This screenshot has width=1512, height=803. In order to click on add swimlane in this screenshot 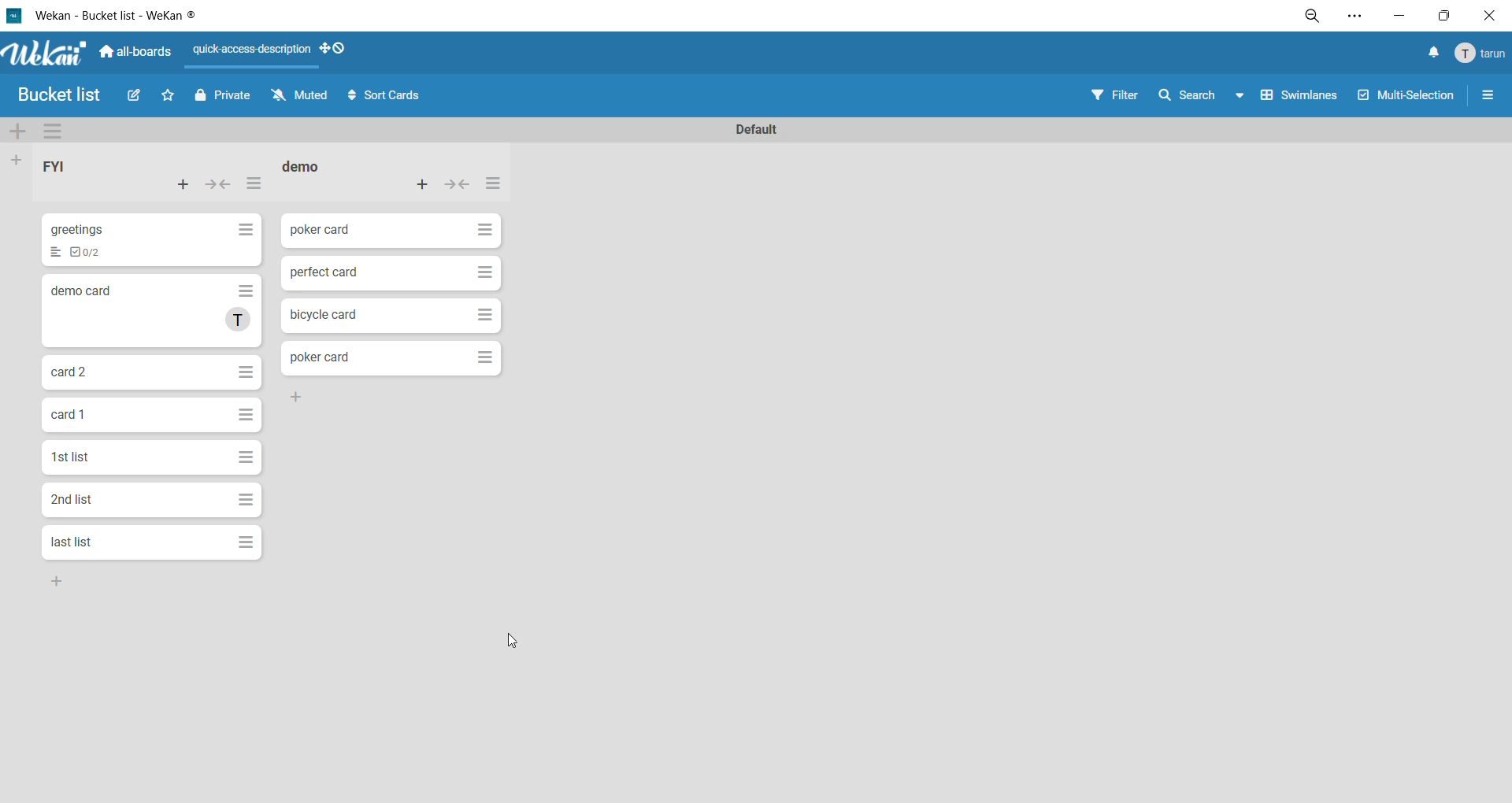, I will do `click(20, 134)`.